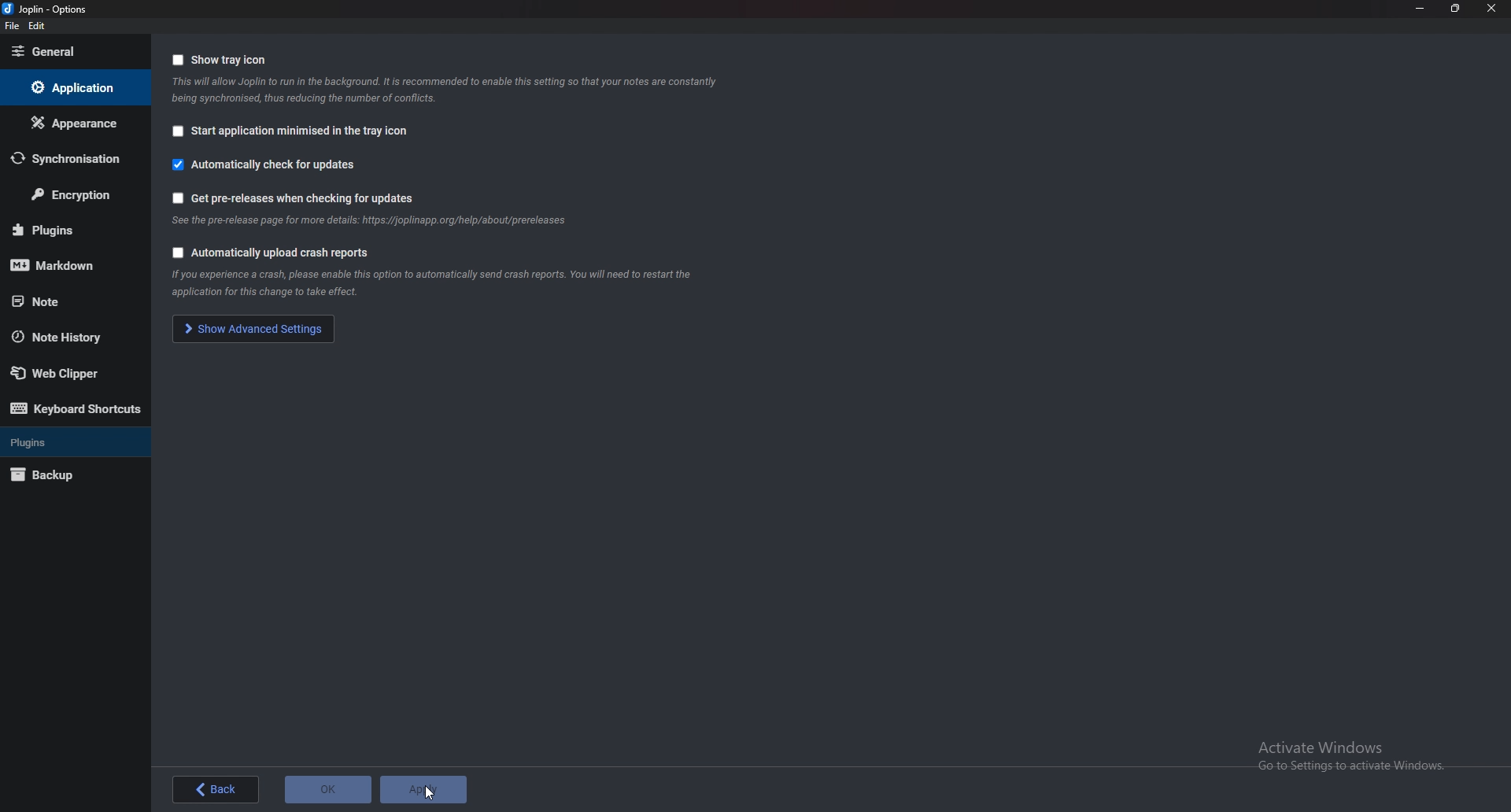  I want to click on Synchronization, so click(69, 159).